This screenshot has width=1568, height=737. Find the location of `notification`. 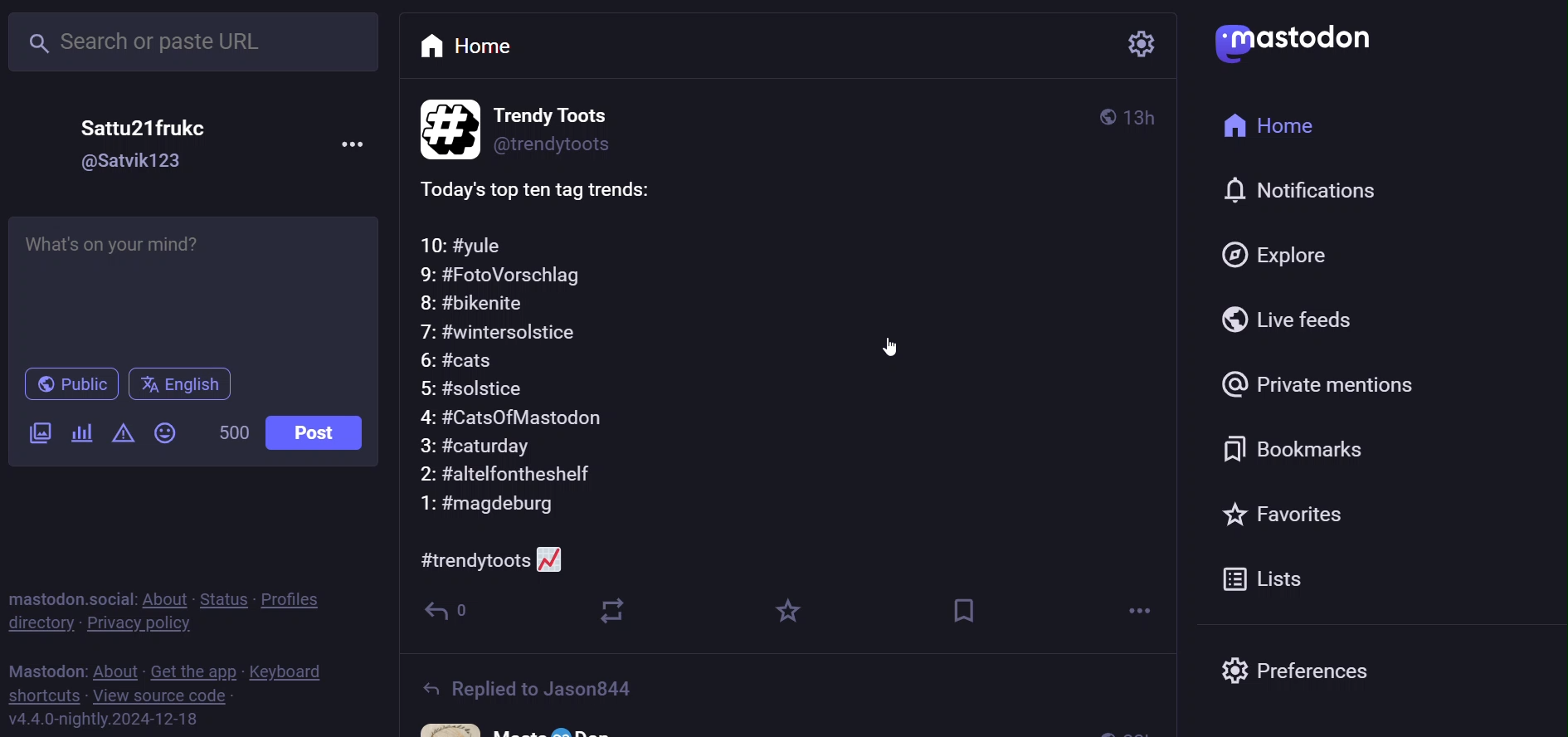

notification is located at coordinates (1308, 189).